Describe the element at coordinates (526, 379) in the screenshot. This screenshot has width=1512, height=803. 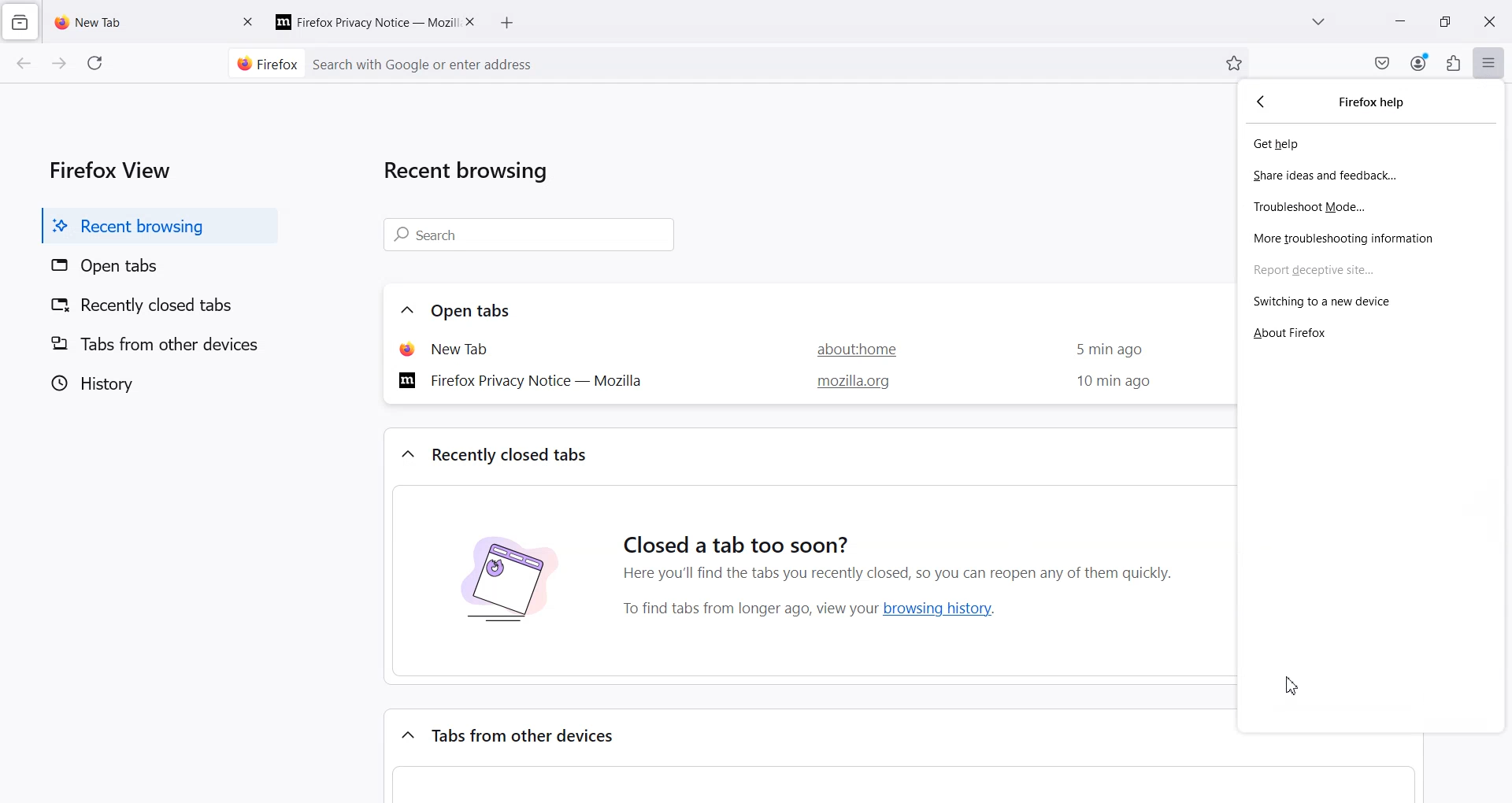
I see ` Firefox Privacy Notice — Mozilla` at that location.